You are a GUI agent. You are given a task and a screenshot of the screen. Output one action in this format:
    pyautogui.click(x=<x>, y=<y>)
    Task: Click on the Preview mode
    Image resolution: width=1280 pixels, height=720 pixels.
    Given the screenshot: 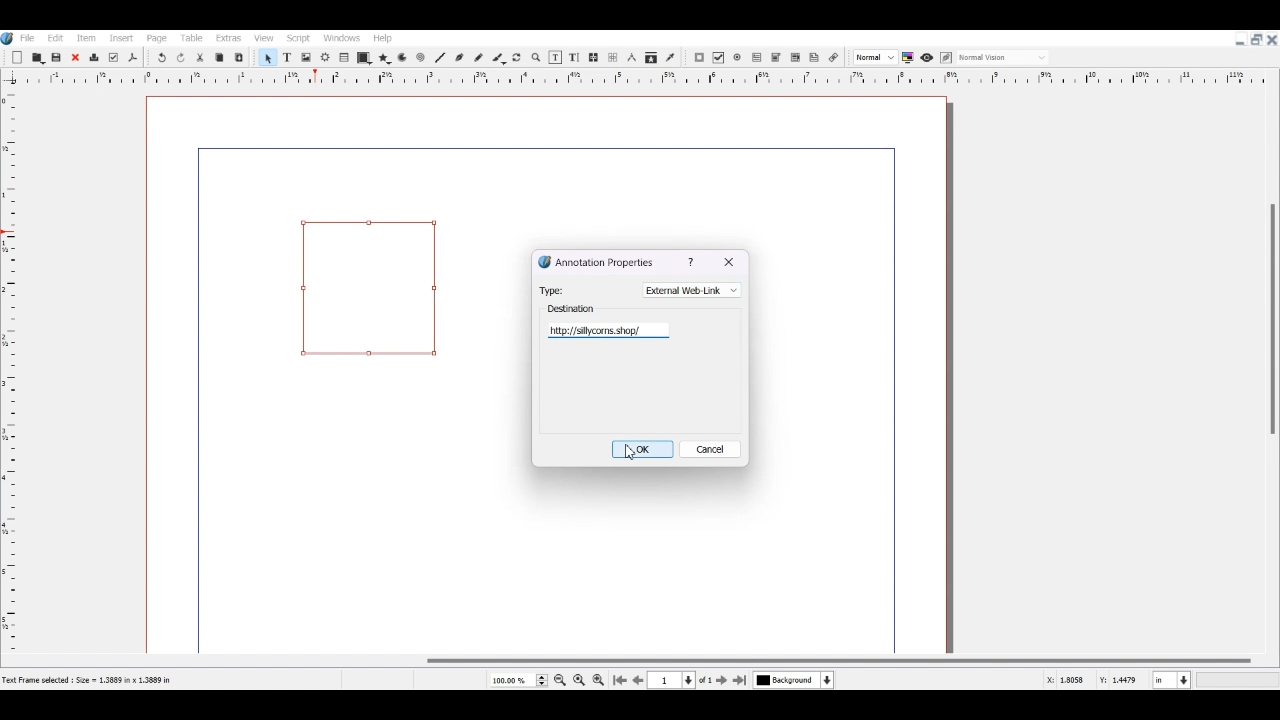 What is the action you would take?
    pyautogui.click(x=926, y=57)
    